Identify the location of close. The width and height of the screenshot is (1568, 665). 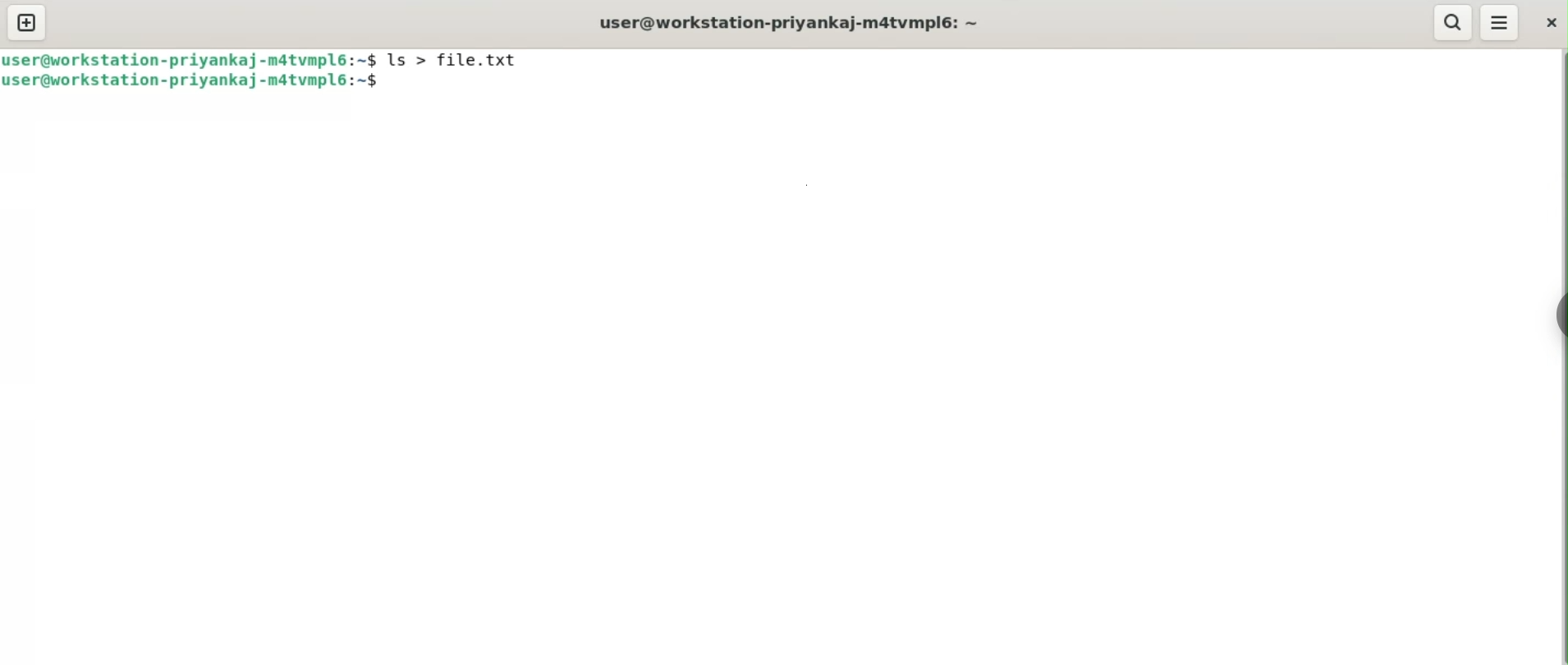
(1551, 21).